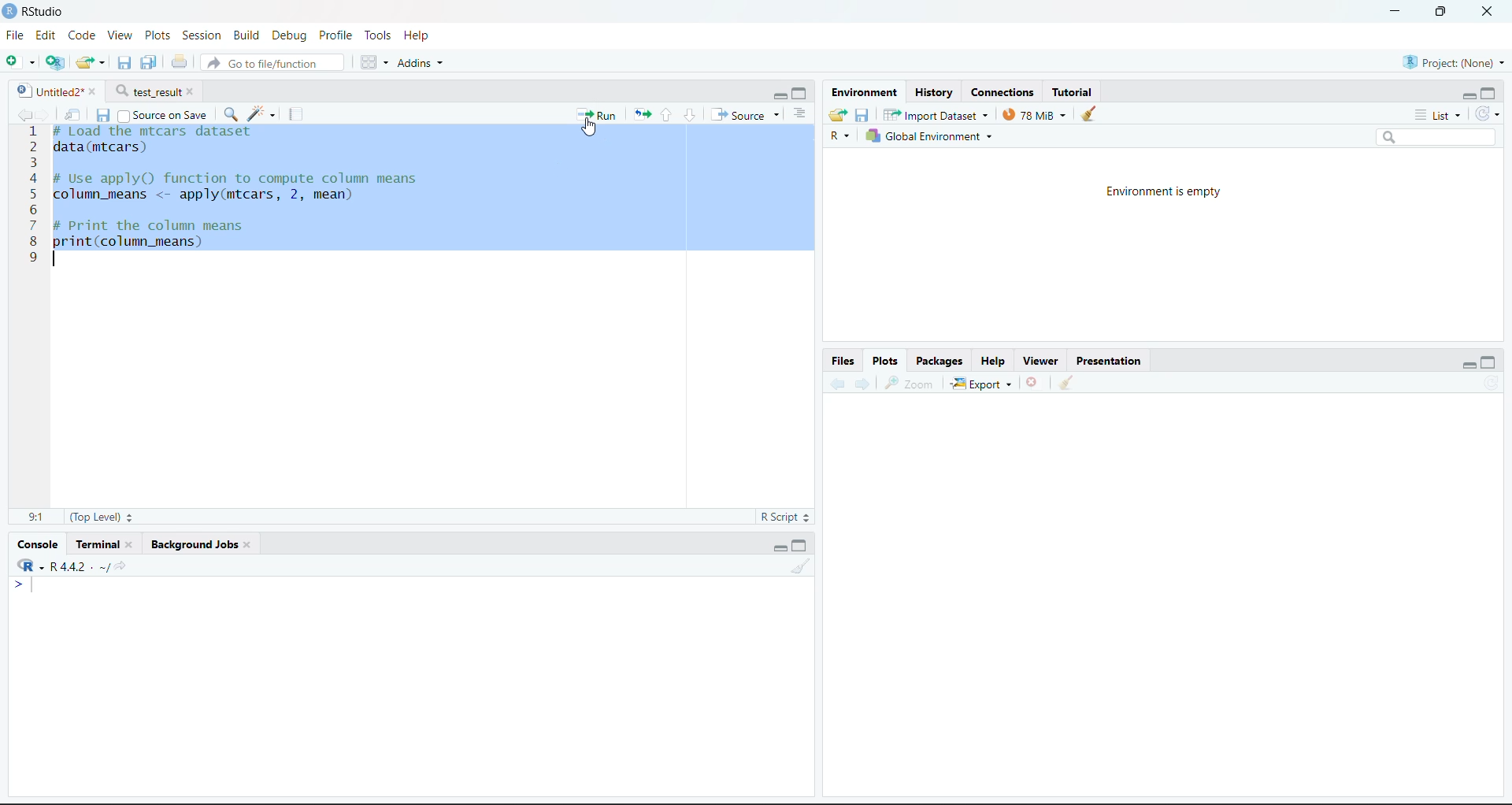  I want to click on Minimize, so click(1390, 12).